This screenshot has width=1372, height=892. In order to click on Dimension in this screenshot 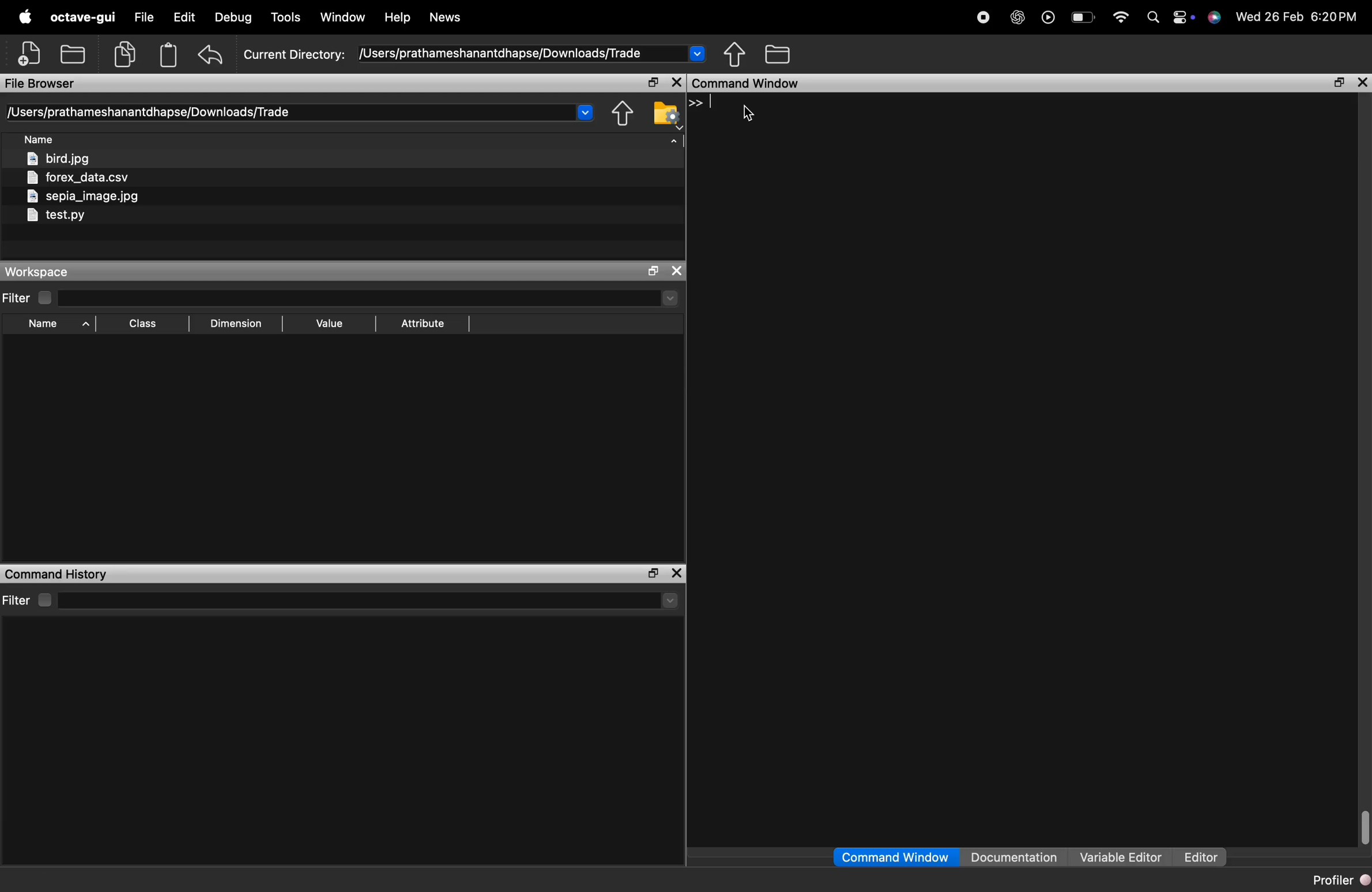, I will do `click(235, 326)`.